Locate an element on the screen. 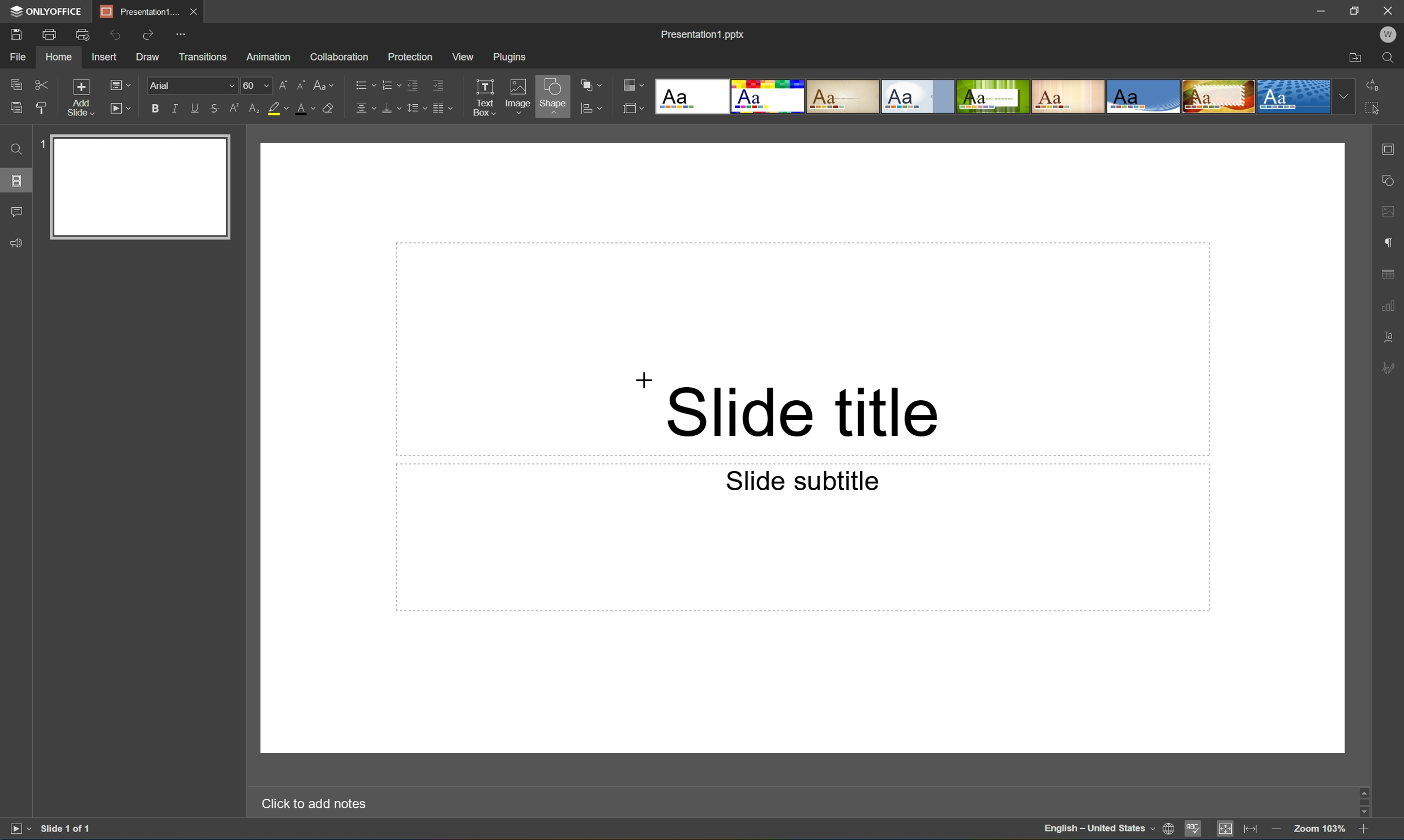 Image resolution: width=1404 pixels, height=840 pixels. Quick print is located at coordinates (83, 34).